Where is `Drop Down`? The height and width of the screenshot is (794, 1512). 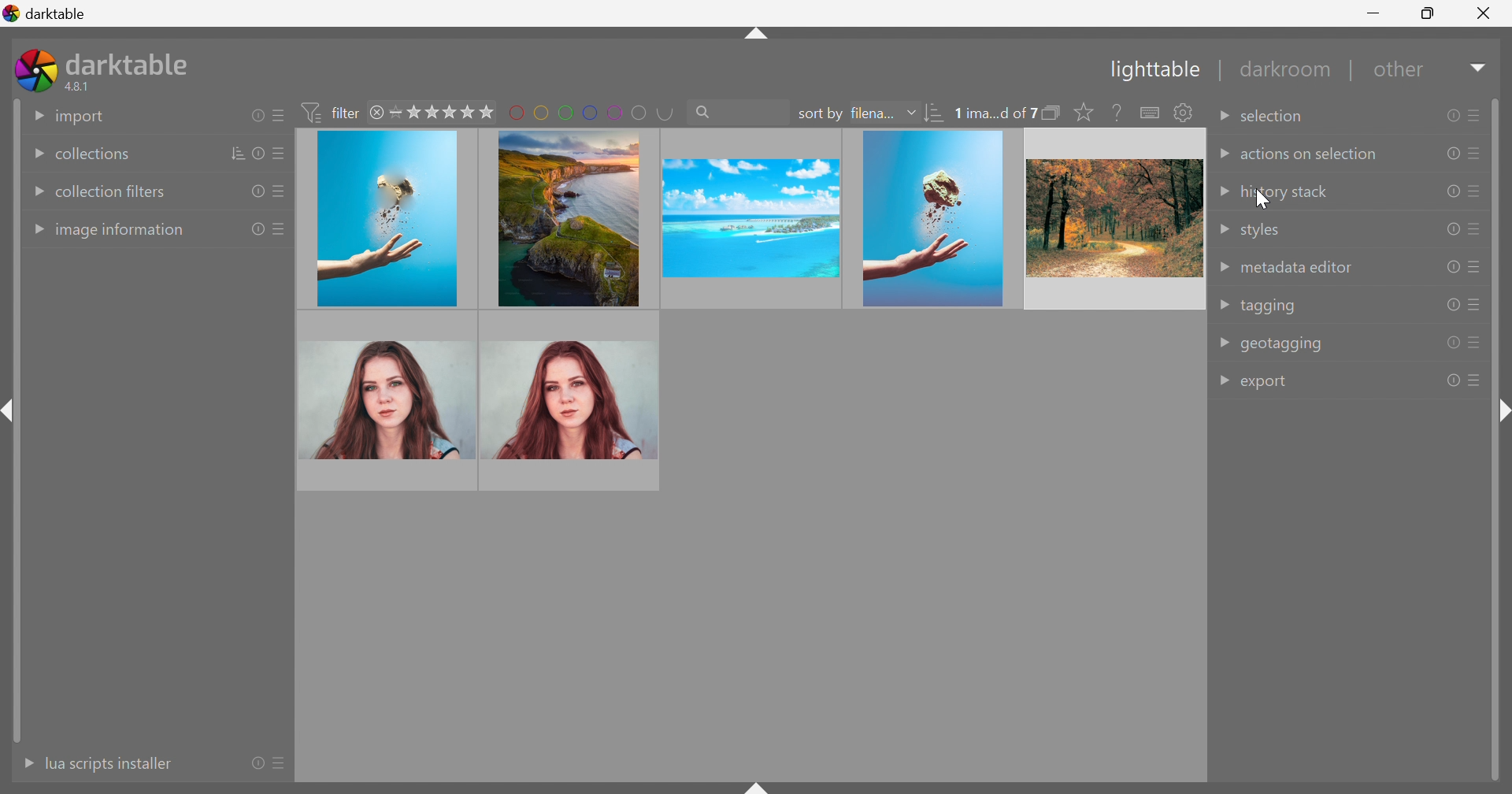
Drop Down is located at coordinates (1218, 342).